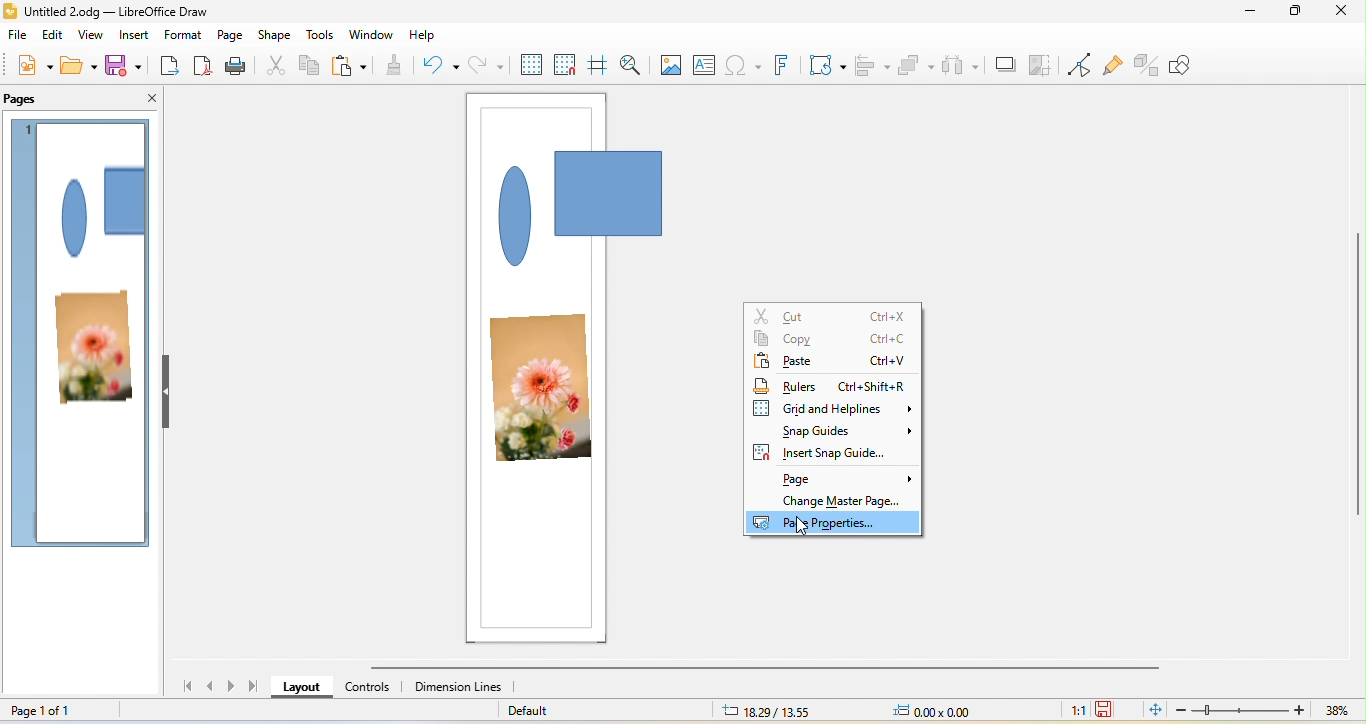 This screenshot has width=1366, height=724. Describe the element at coordinates (583, 210) in the screenshot. I see `shape` at that location.